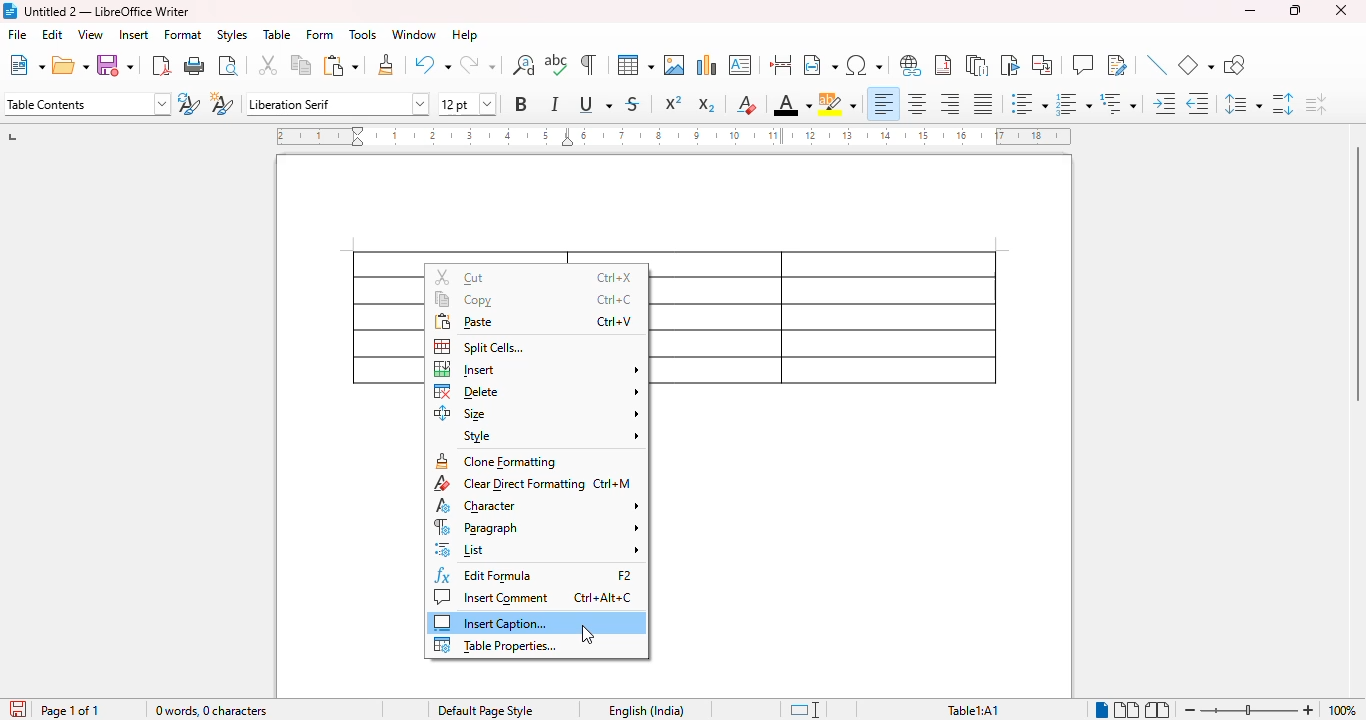 Image resolution: width=1366 pixels, height=720 pixels. I want to click on toggle formatting marks , so click(588, 64).